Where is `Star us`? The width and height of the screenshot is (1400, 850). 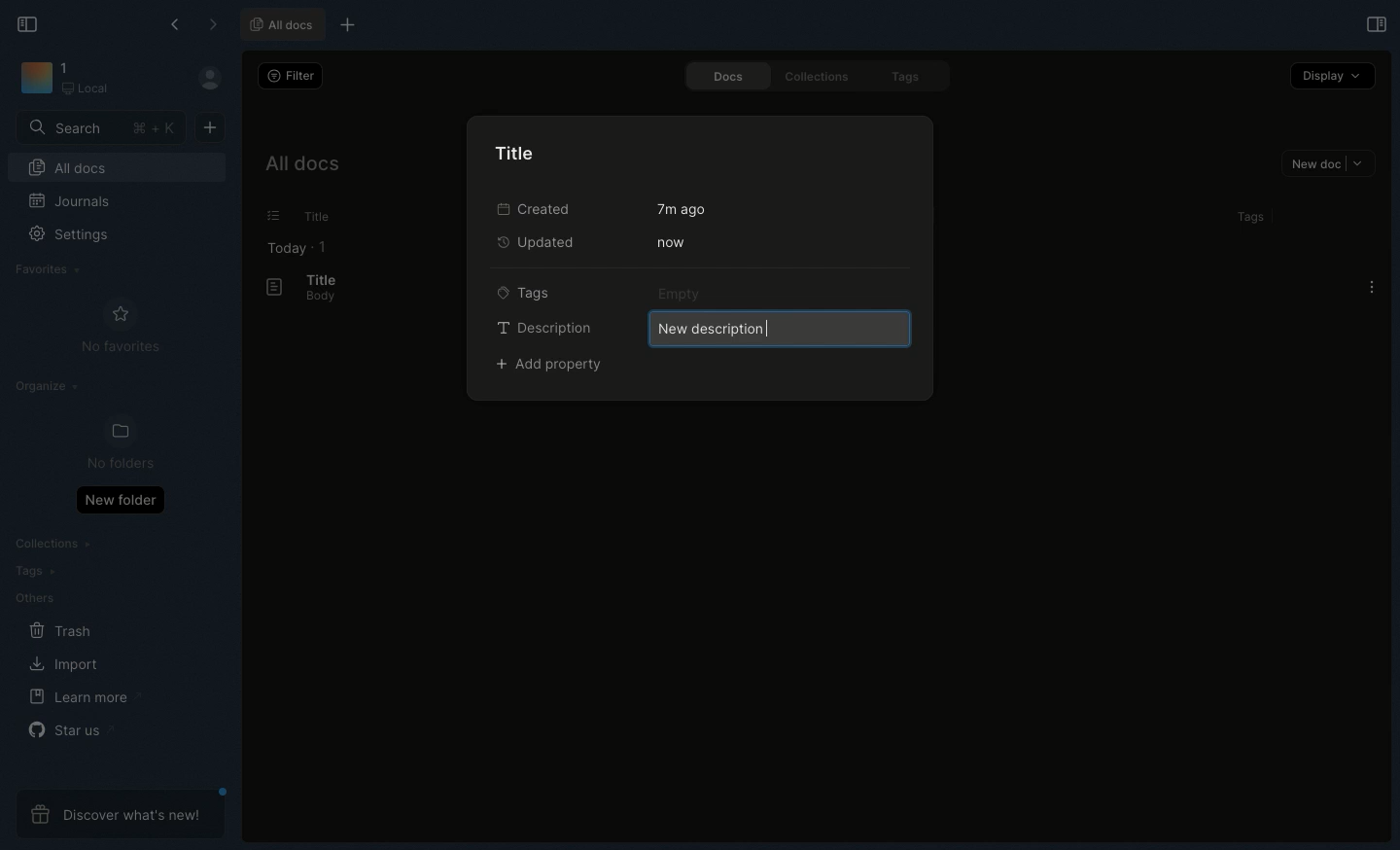 Star us is located at coordinates (69, 729).